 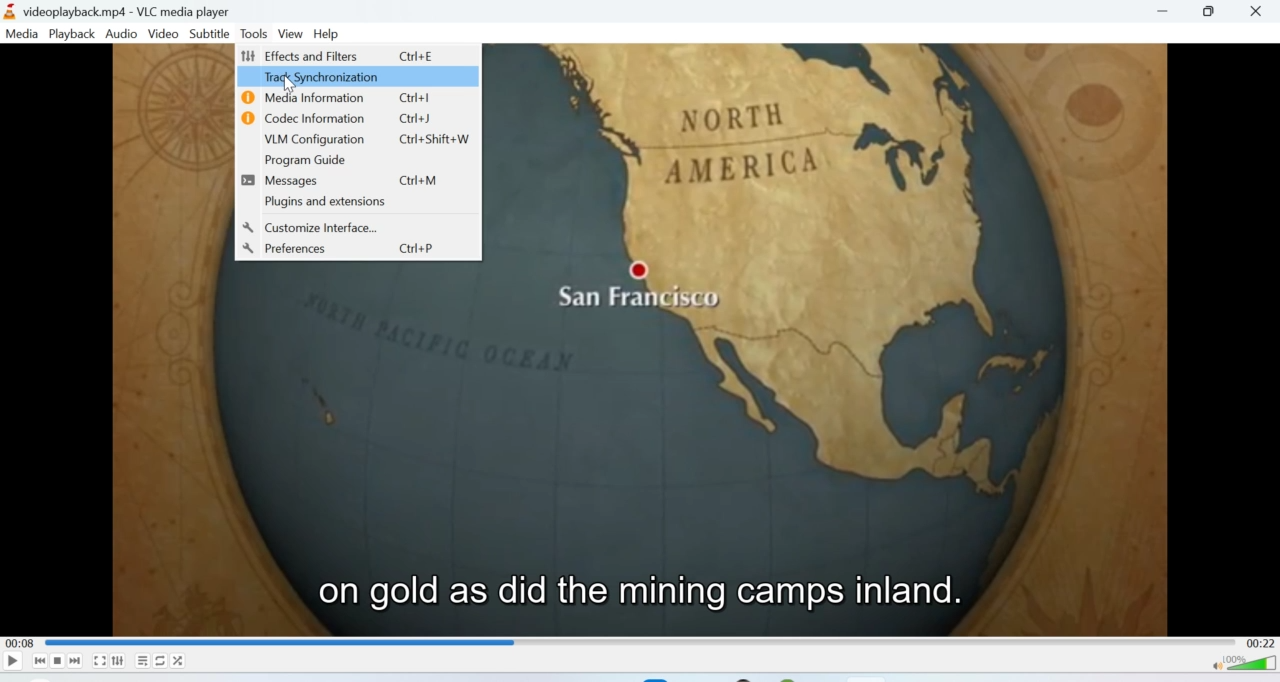 I want to click on Ctrl+J, so click(x=419, y=117).